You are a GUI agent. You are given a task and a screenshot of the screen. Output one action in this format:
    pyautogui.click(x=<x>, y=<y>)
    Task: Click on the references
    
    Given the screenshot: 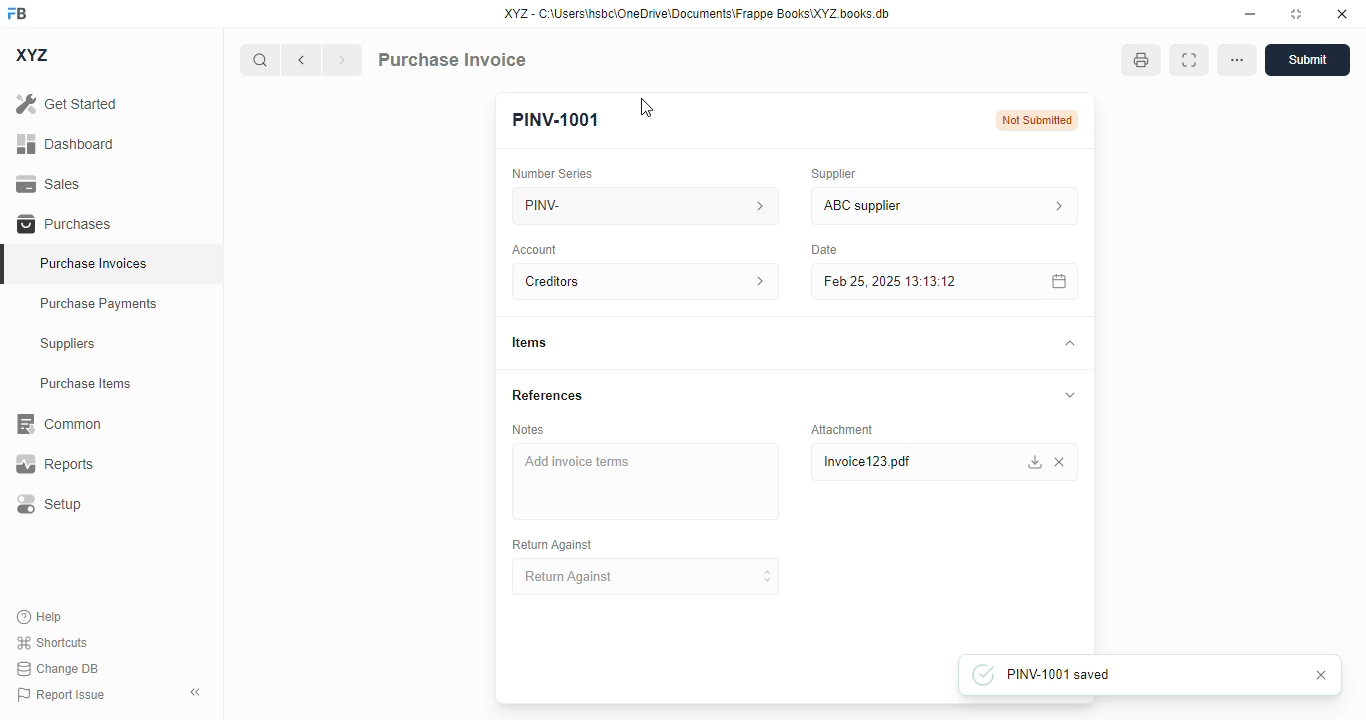 What is the action you would take?
    pyautogui.click(x=548, y=395)
    